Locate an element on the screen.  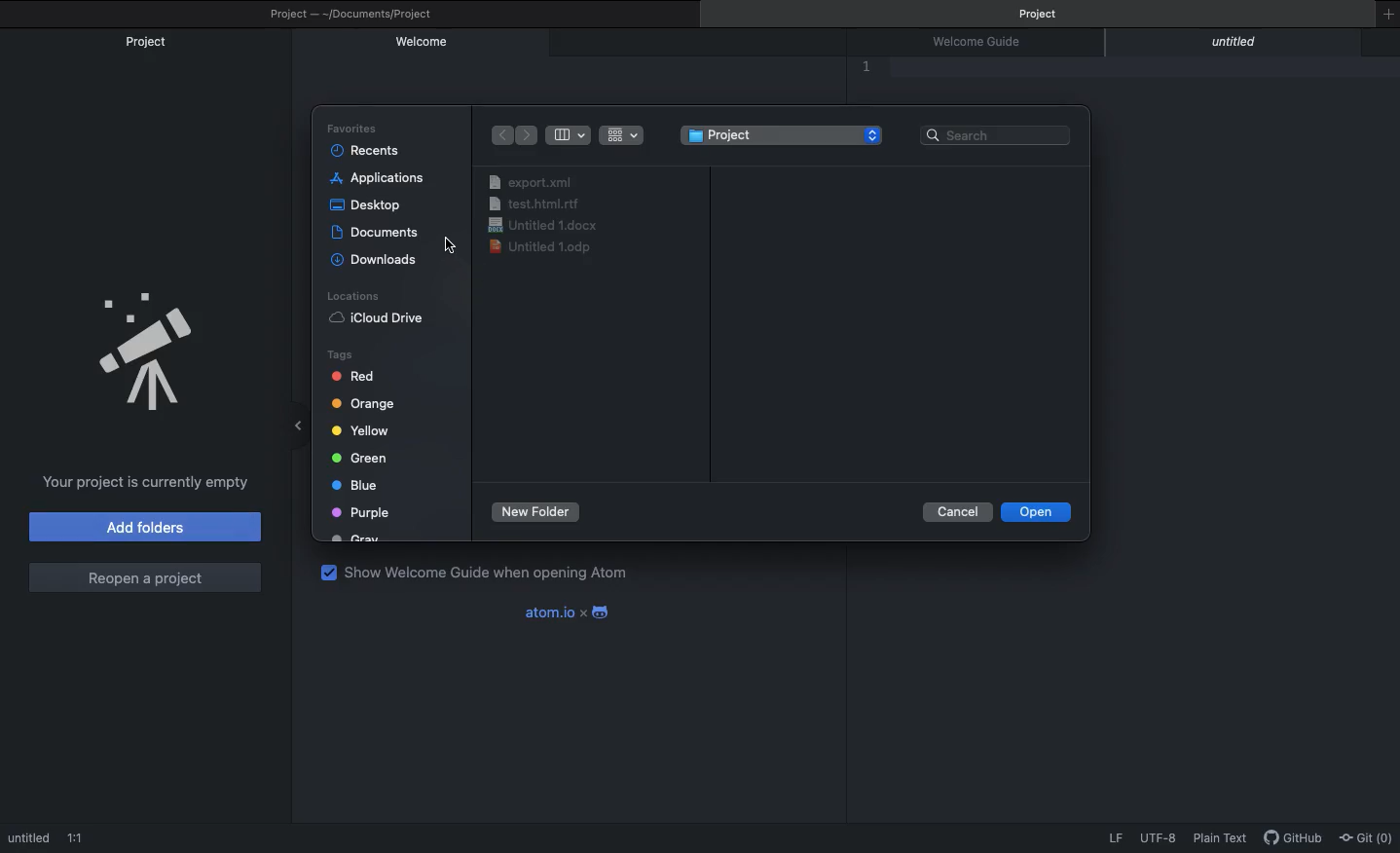
Untitled is located at coordinates (1239, 44).